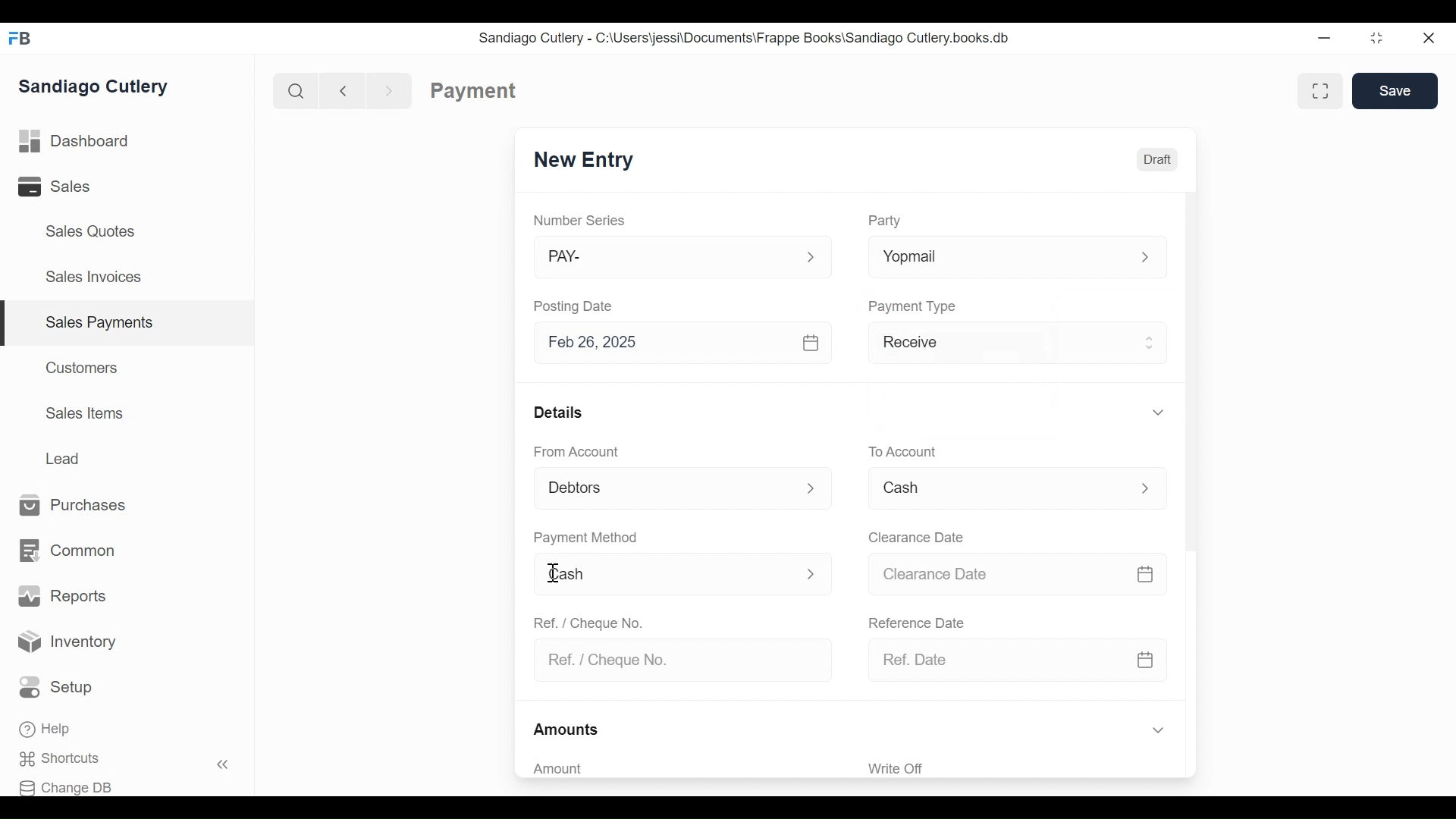 The width and height of the screenshot is (1456, 819). What do you see at coordinates (65, 187) in the screenshot?
I see `Sales` at bounding box center [65, 187].